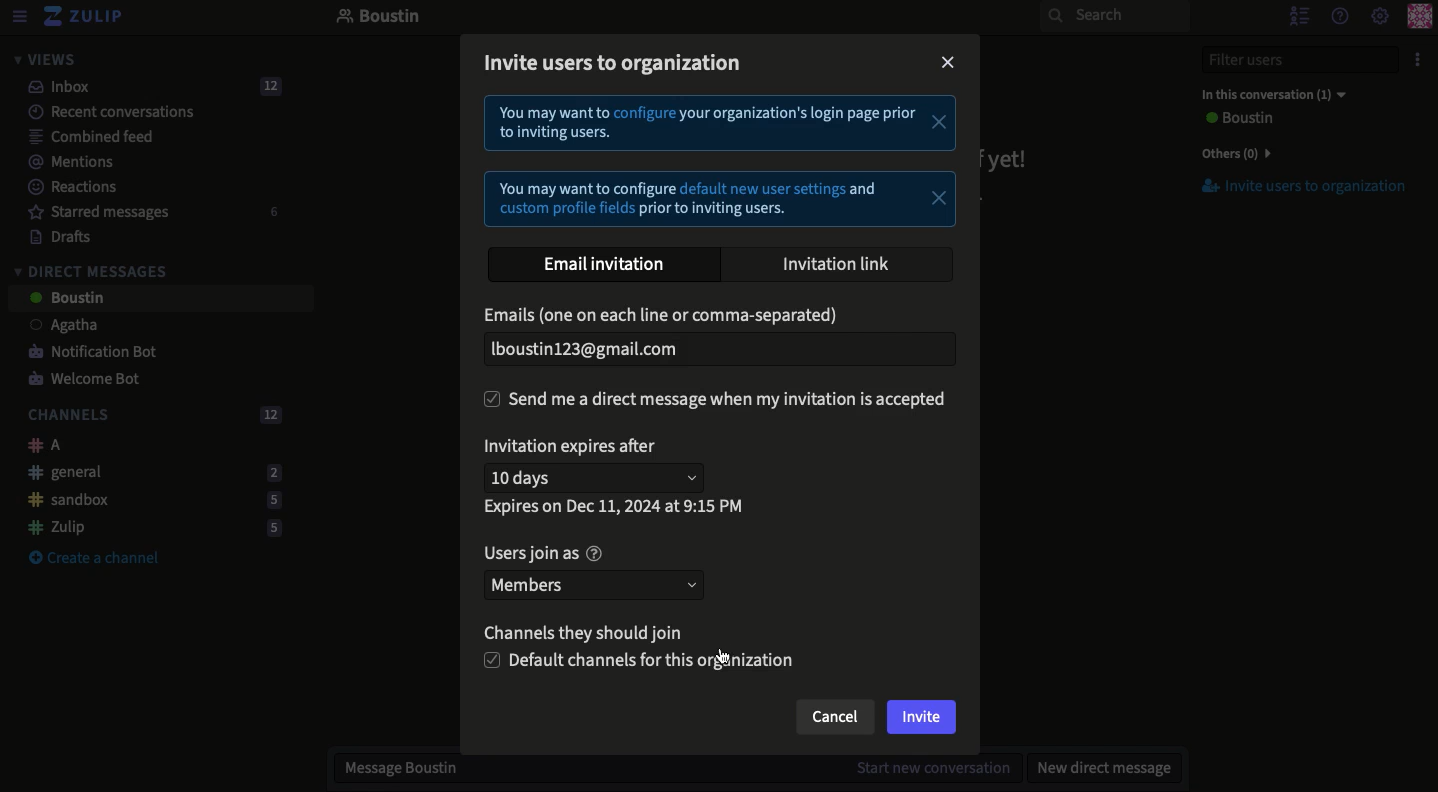 The image size is (1438, 792). Describe the element at coordinates (65, 299) in the screenshot. I see `User 2` at that location.